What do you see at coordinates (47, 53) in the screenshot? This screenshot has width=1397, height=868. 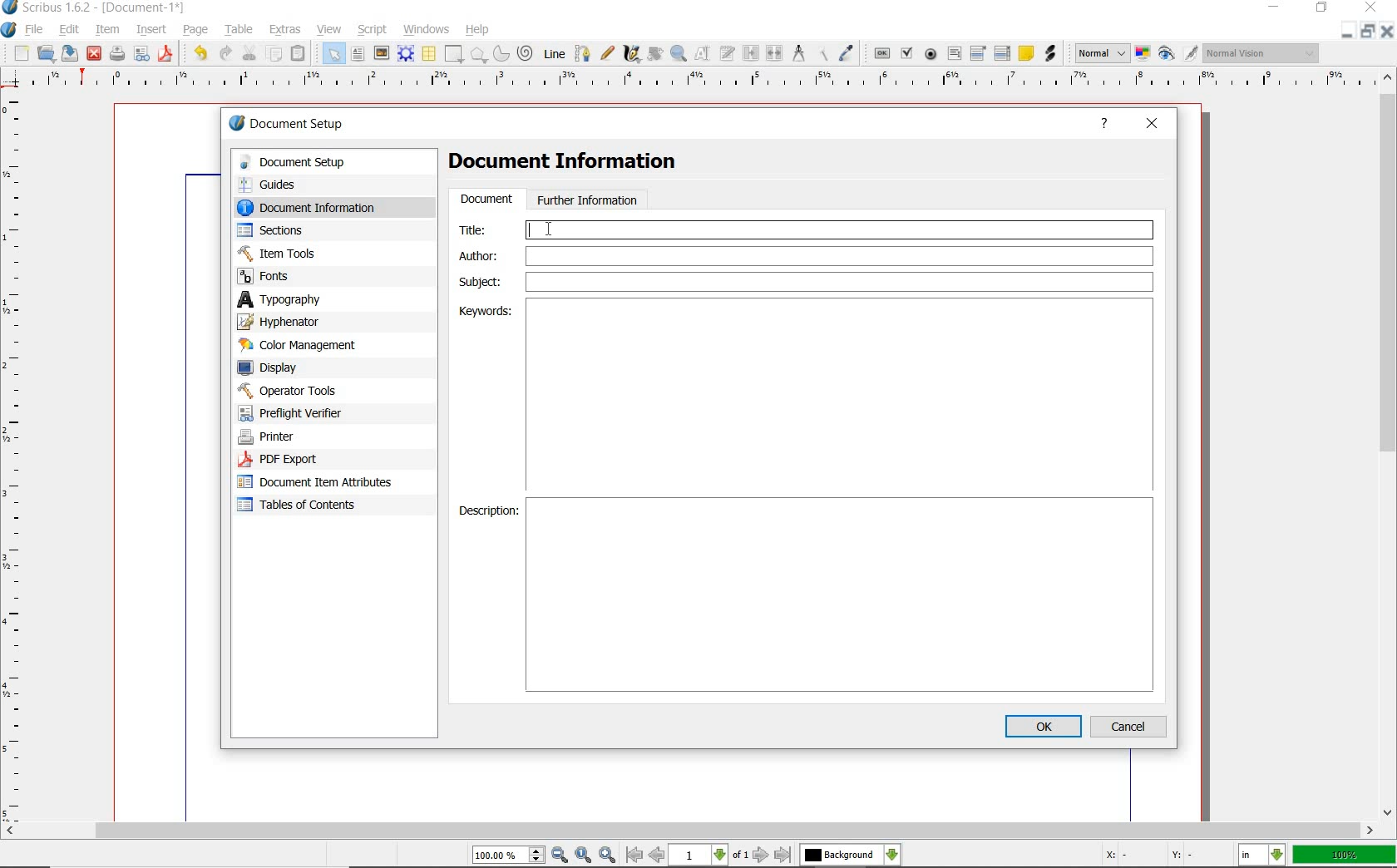 I see `open` at bounding box center [47, 53].